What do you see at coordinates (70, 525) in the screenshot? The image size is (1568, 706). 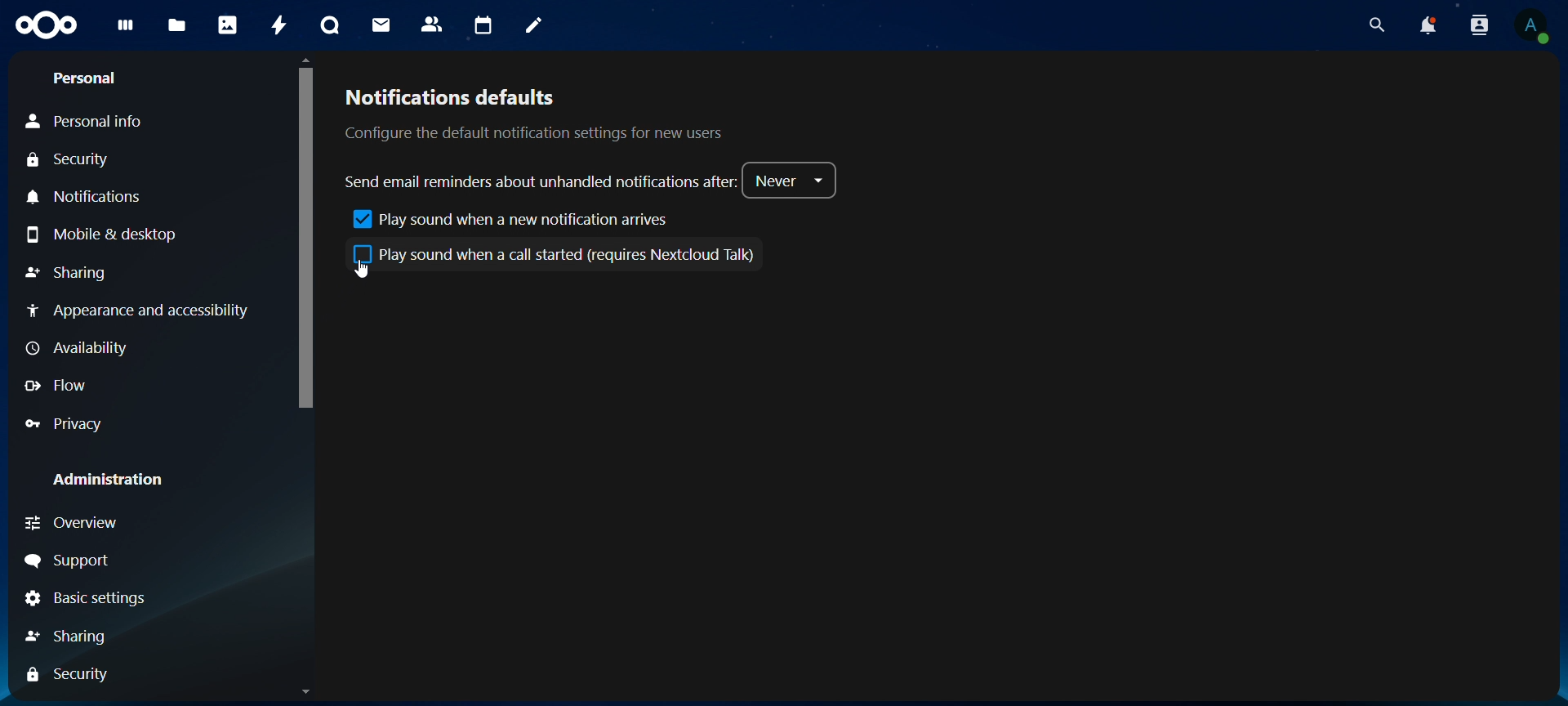 I see `Overview` at bounding box center [70, 525].